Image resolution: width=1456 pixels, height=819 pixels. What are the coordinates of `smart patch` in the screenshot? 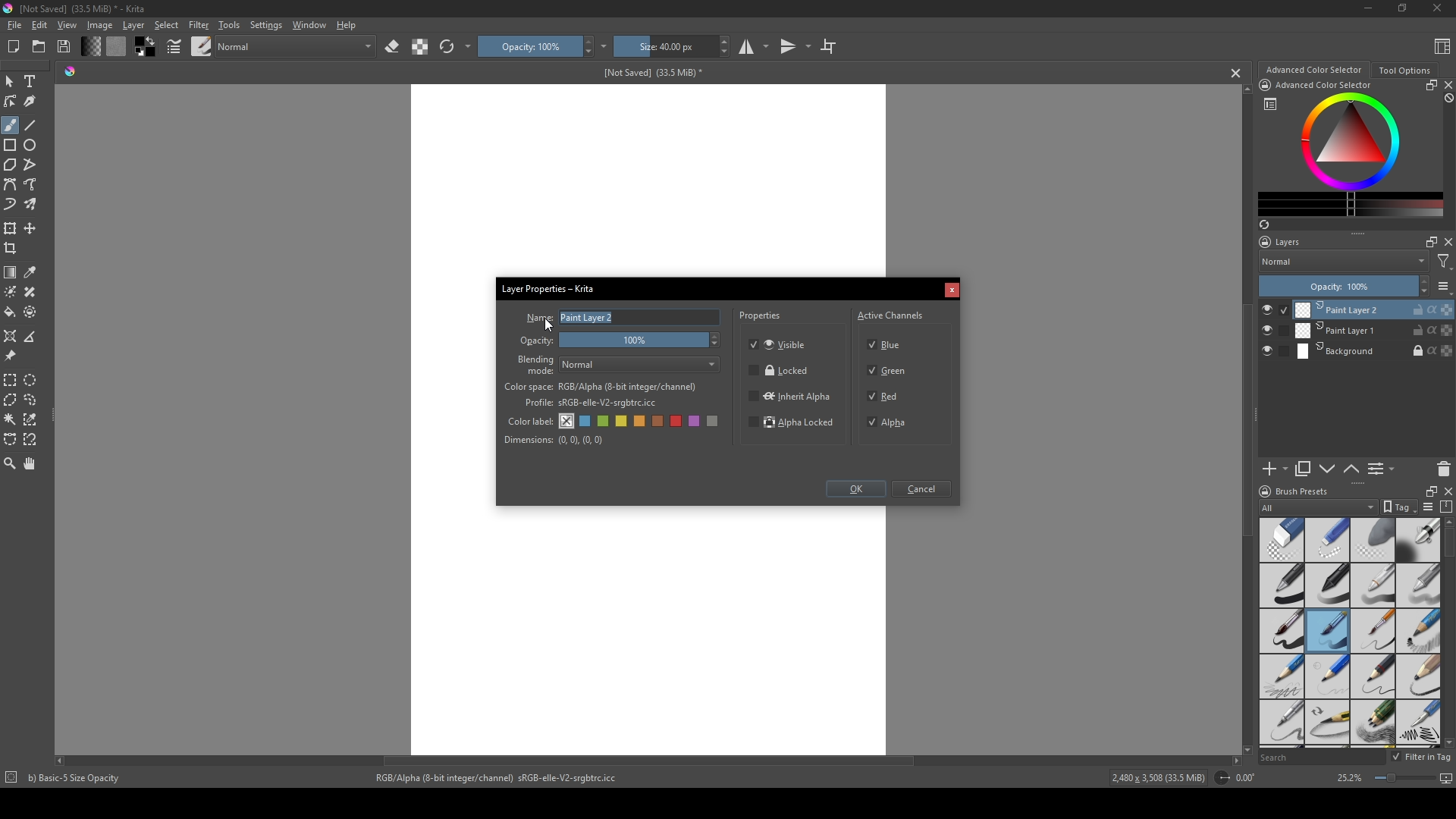 It's located at (33, 292).